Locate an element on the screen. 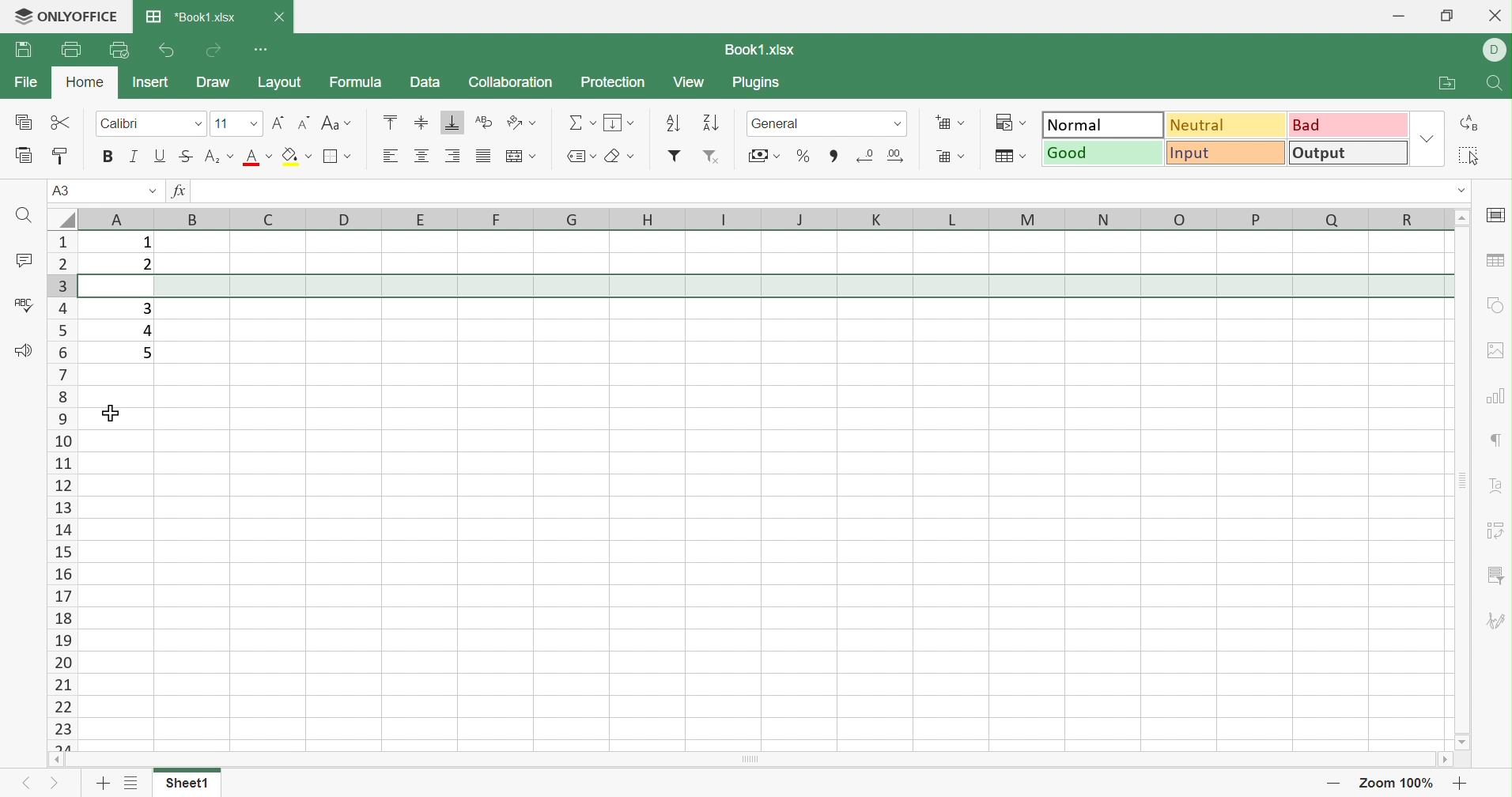 Image resolution: width=1512 pixels, height=797 pixels. Slicer settings is located at coordinates (1497, 574).